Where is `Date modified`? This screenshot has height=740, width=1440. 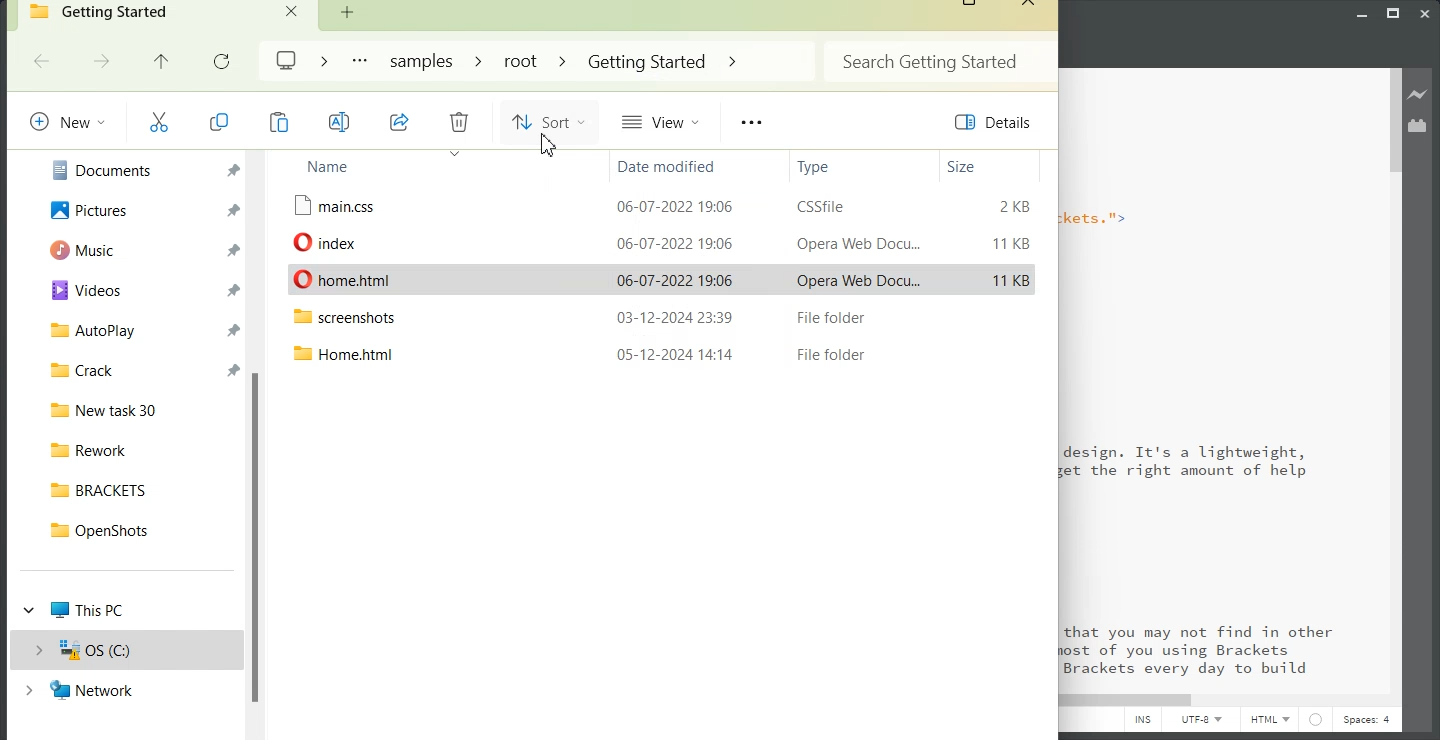 Date modified is located at coordinates (678, 165).